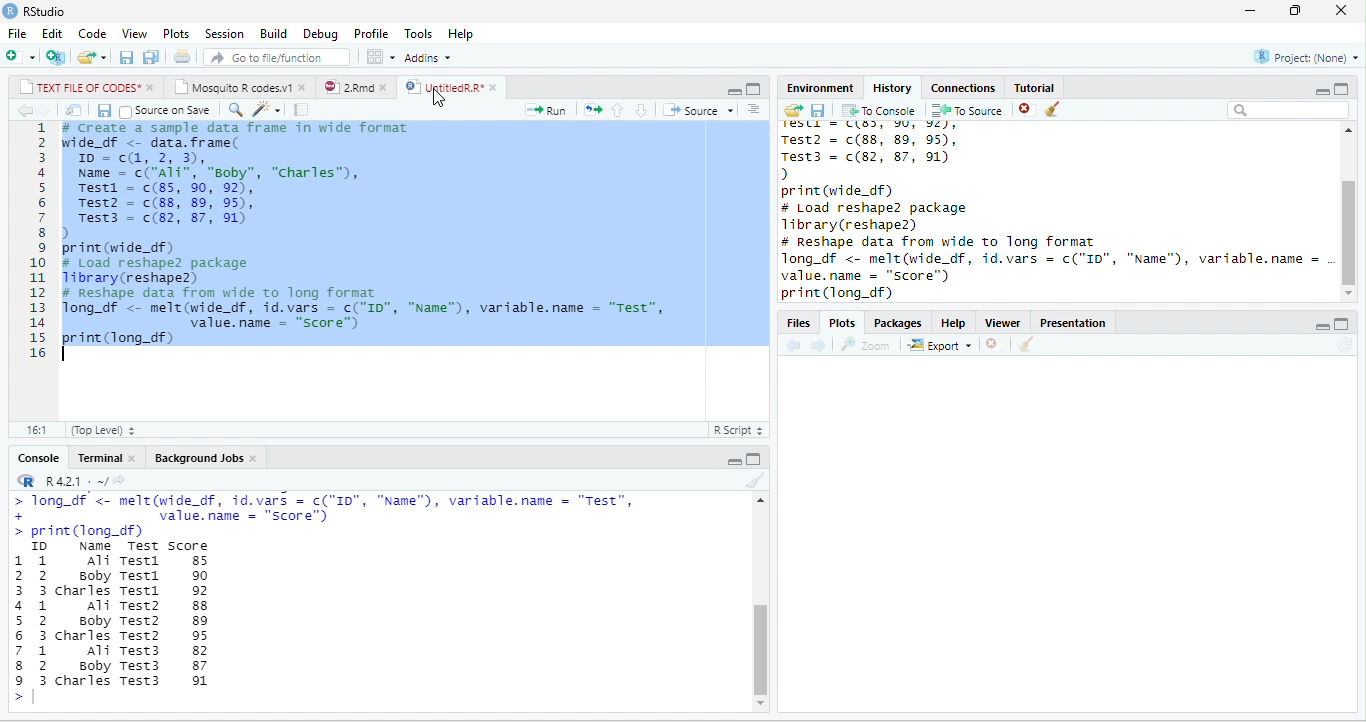 The image size is (1366, 722). Describe the element at coordinates (761, 704) in the screenshot. I see `scroll down` at that location.